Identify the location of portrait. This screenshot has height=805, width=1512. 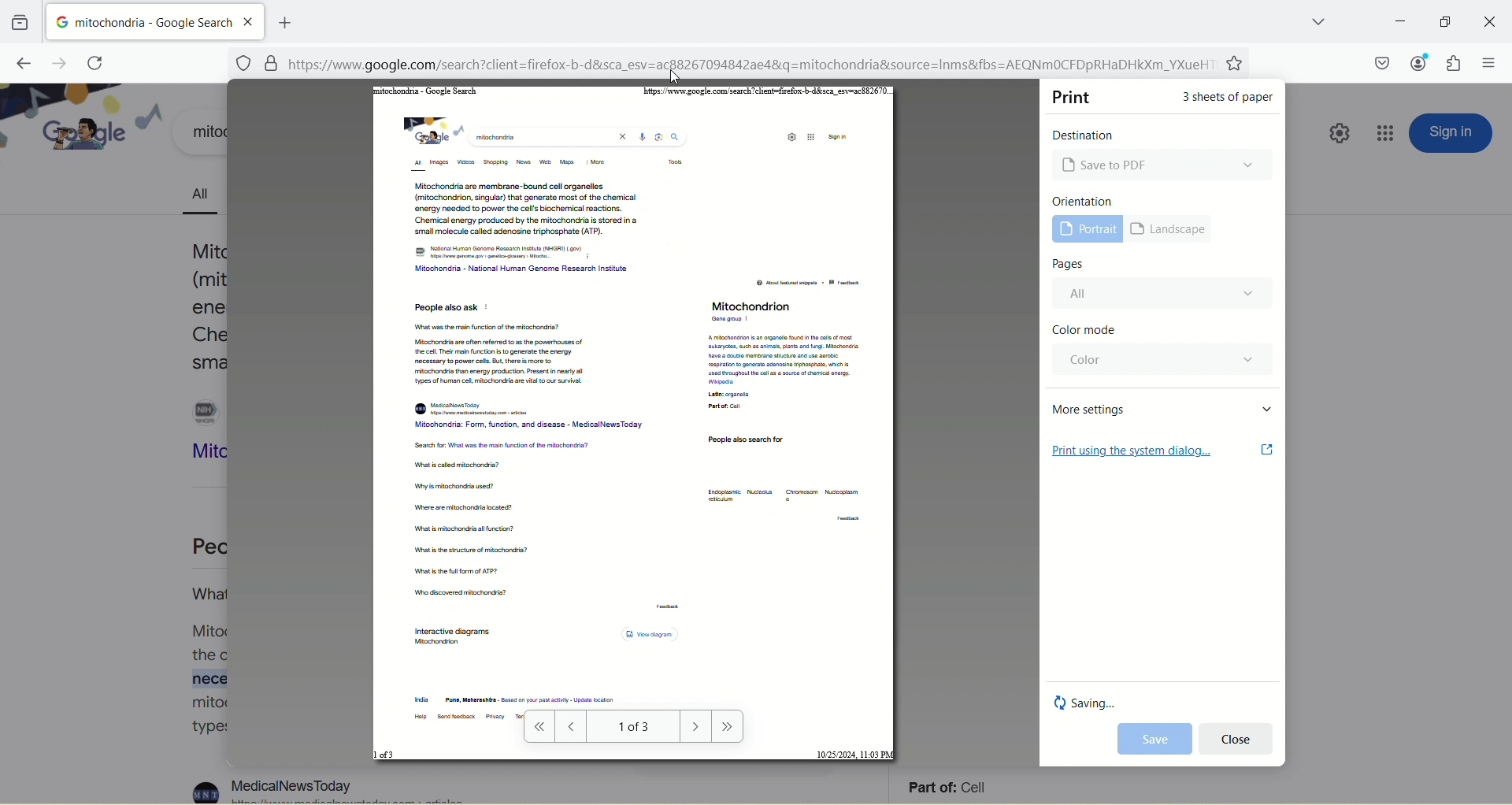
(1087, 229).